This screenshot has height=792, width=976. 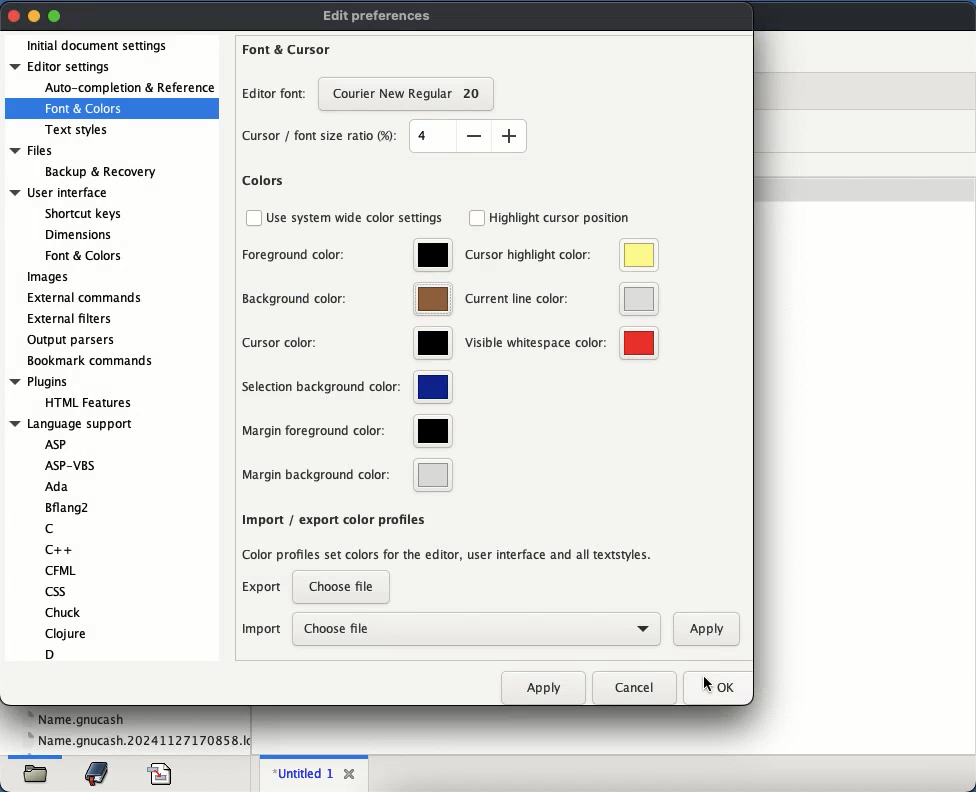 I want to click on editor settings, so click(x=62, y=68).